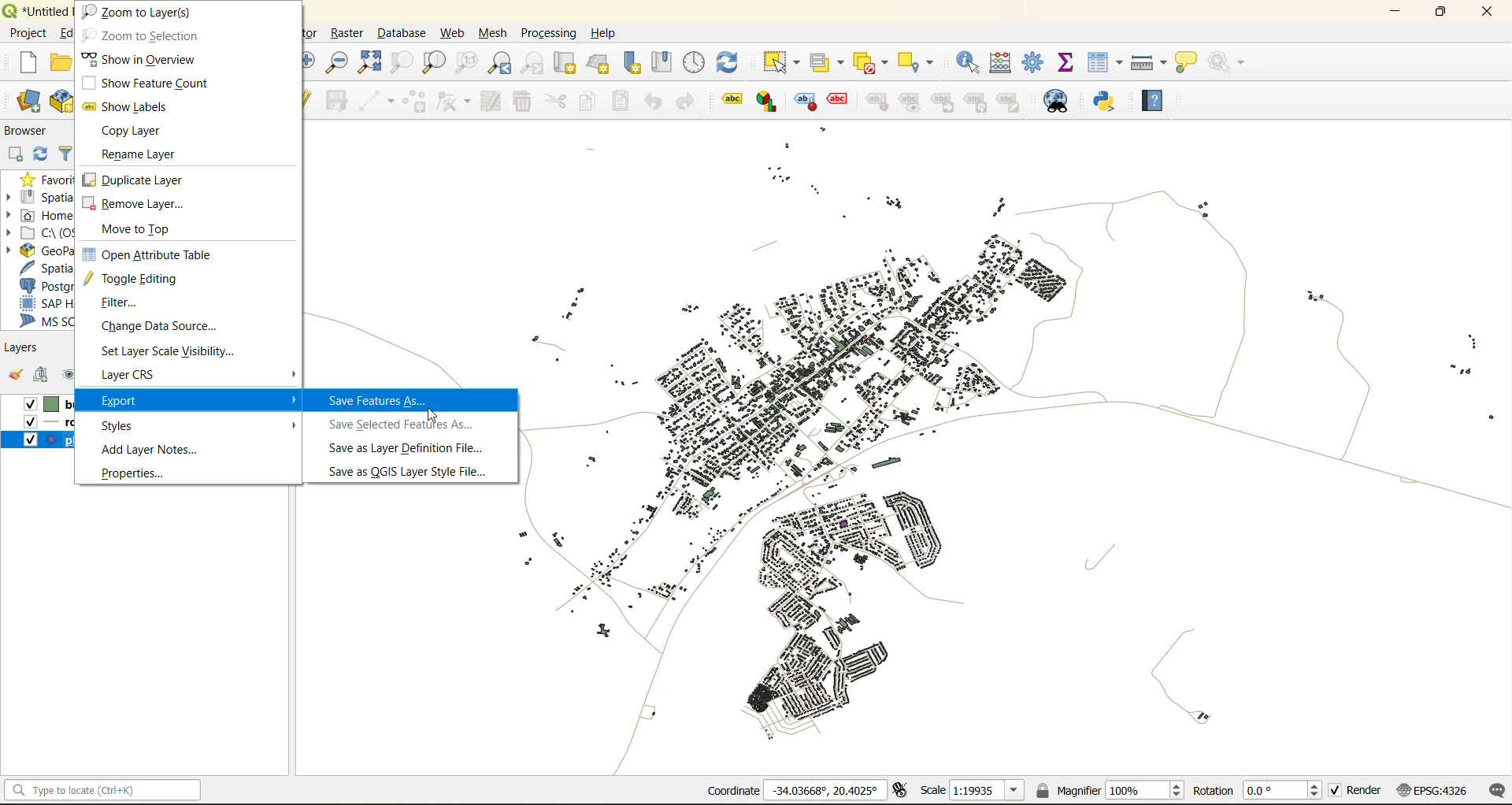 This screenshot has width=1512, height=805. I want to click on select value, so click(830, 61).